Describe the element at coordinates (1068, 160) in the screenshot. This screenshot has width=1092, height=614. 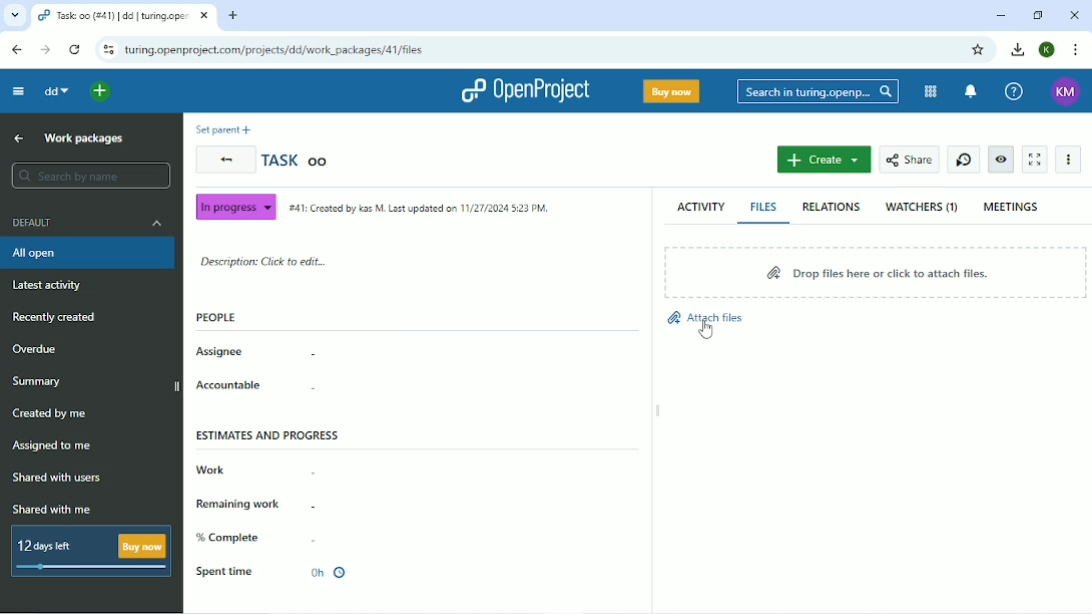
I see `More actions` at that location.